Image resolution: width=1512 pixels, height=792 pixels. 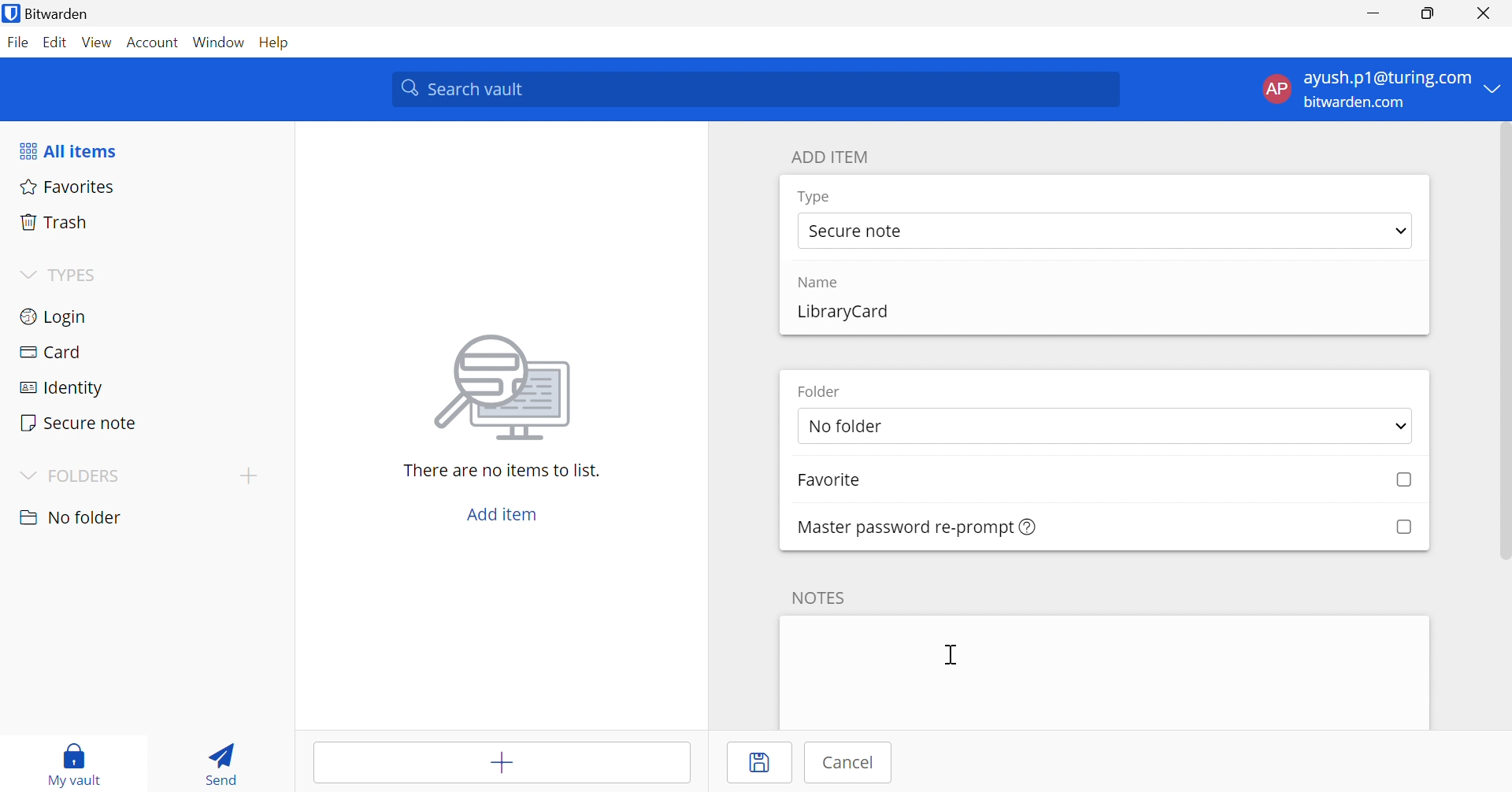 What do you see at coordinates (502, 387) in the screenshot?
I see `image` at bounding box center [502, 387].